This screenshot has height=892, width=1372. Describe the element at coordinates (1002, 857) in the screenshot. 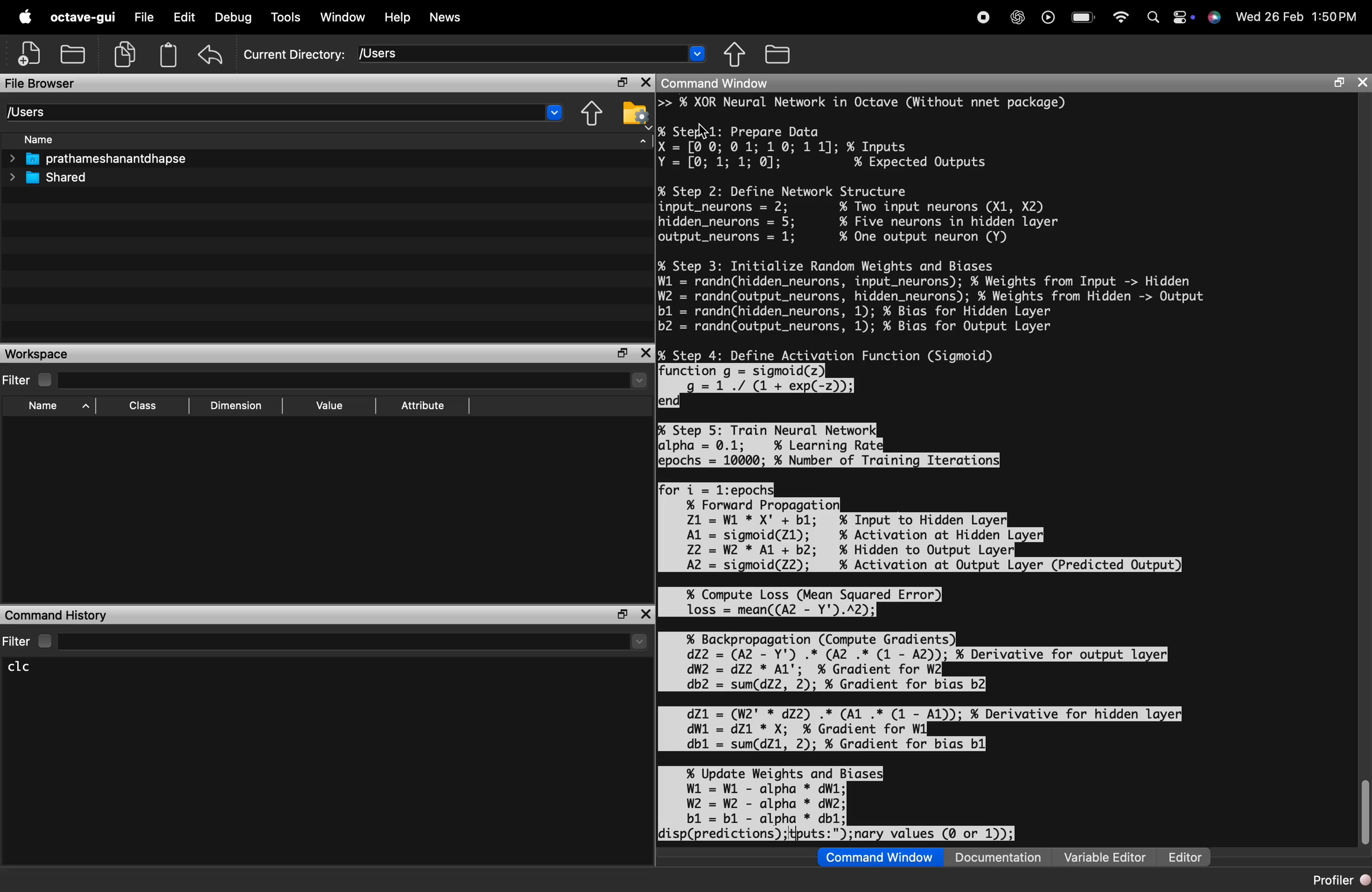

I see `Documentation` at that location.